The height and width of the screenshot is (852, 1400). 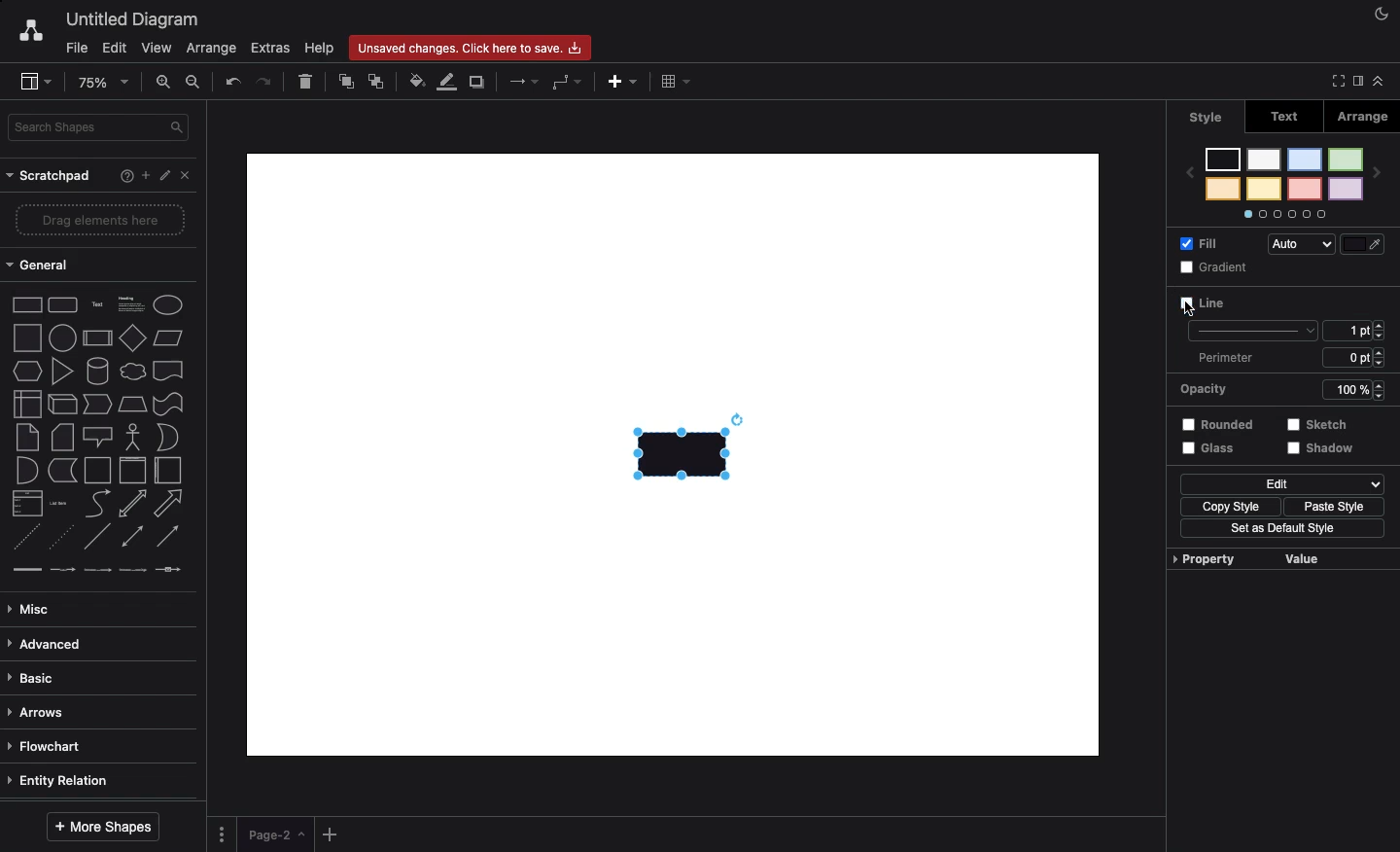 I want to click on color 7, so click(x=1221, y=160).